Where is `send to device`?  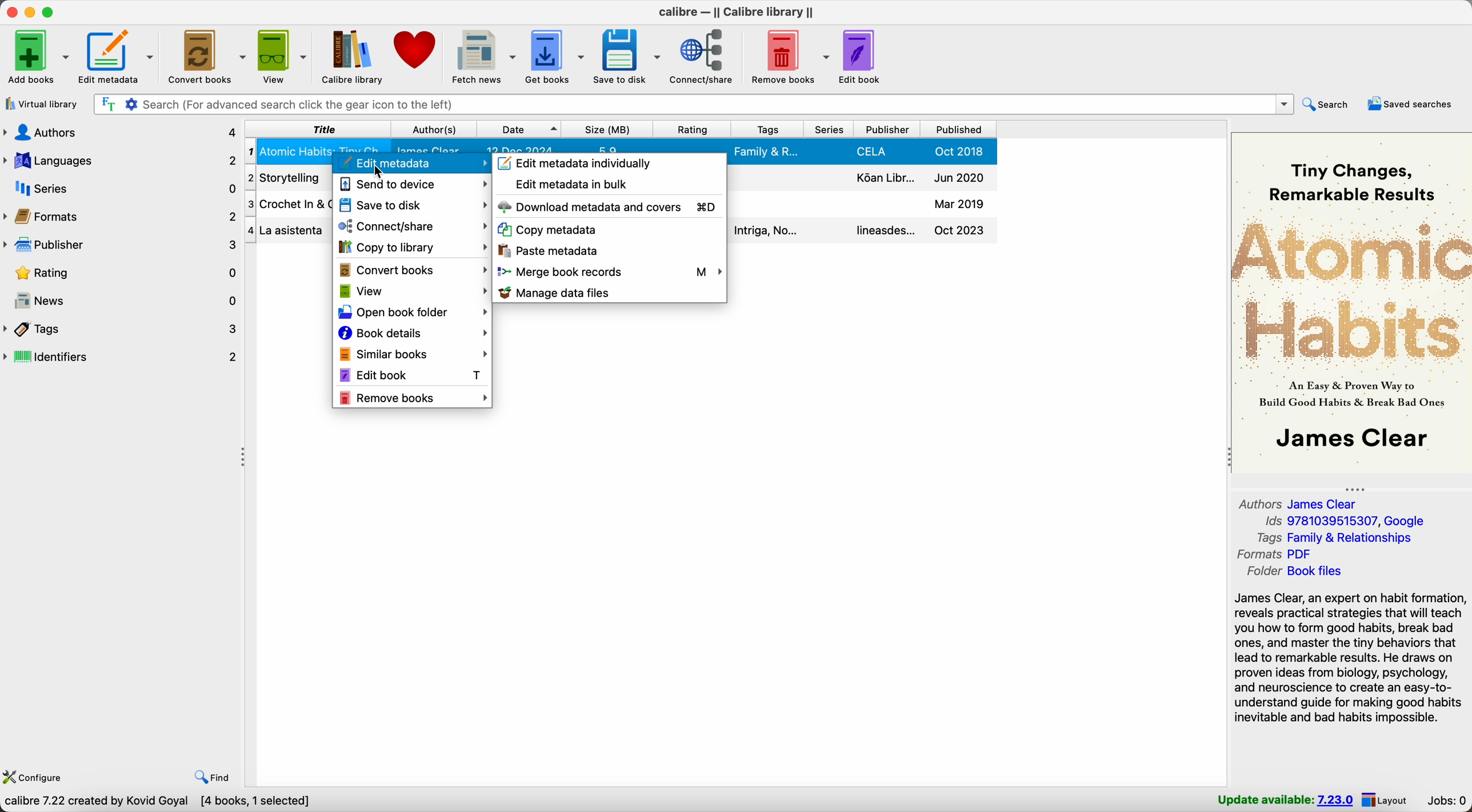
send to device is located at coordinates (415, 187).